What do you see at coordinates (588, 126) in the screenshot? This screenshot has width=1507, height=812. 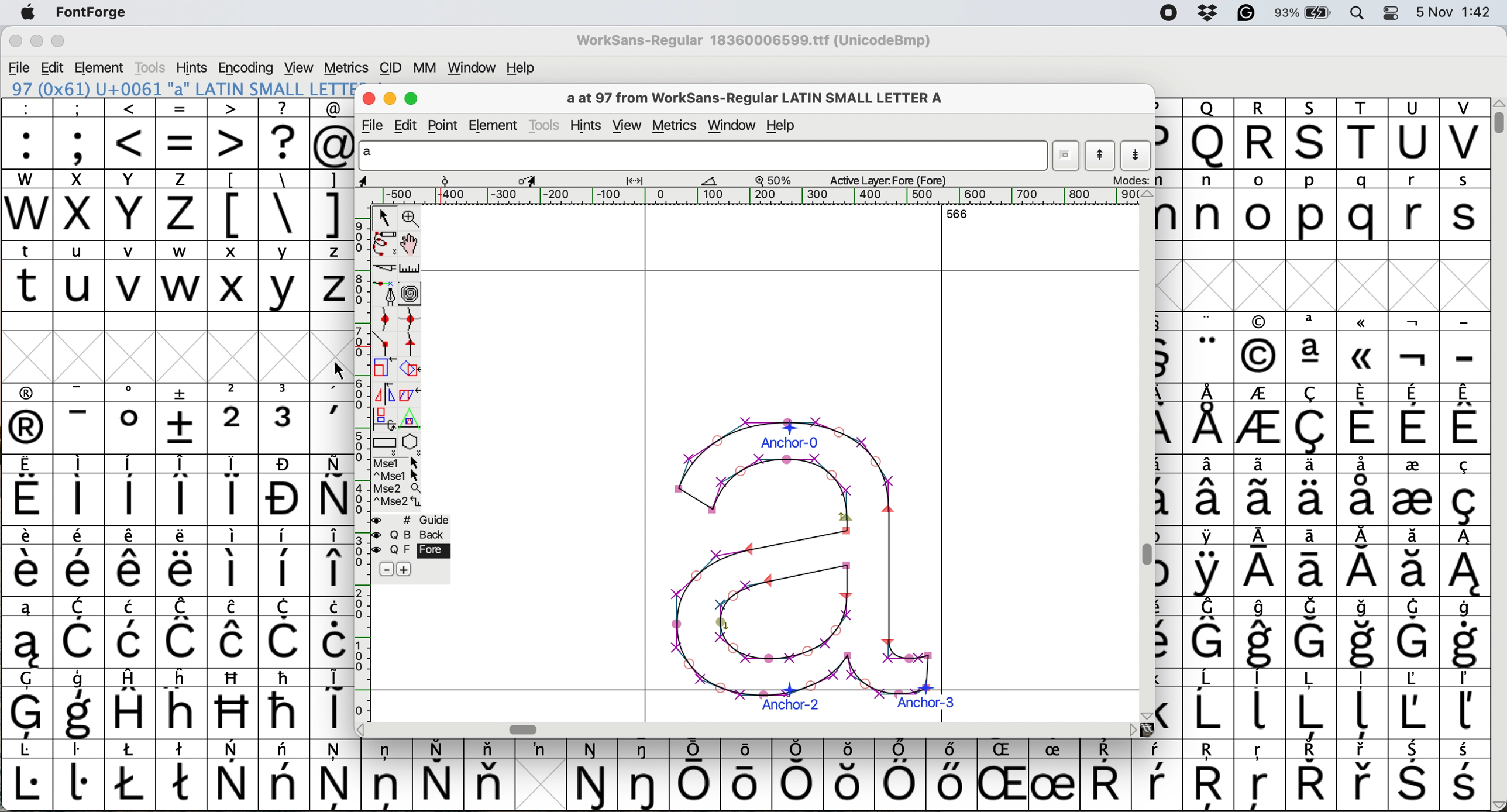 I see `hints` at bounding box center [588, 126].